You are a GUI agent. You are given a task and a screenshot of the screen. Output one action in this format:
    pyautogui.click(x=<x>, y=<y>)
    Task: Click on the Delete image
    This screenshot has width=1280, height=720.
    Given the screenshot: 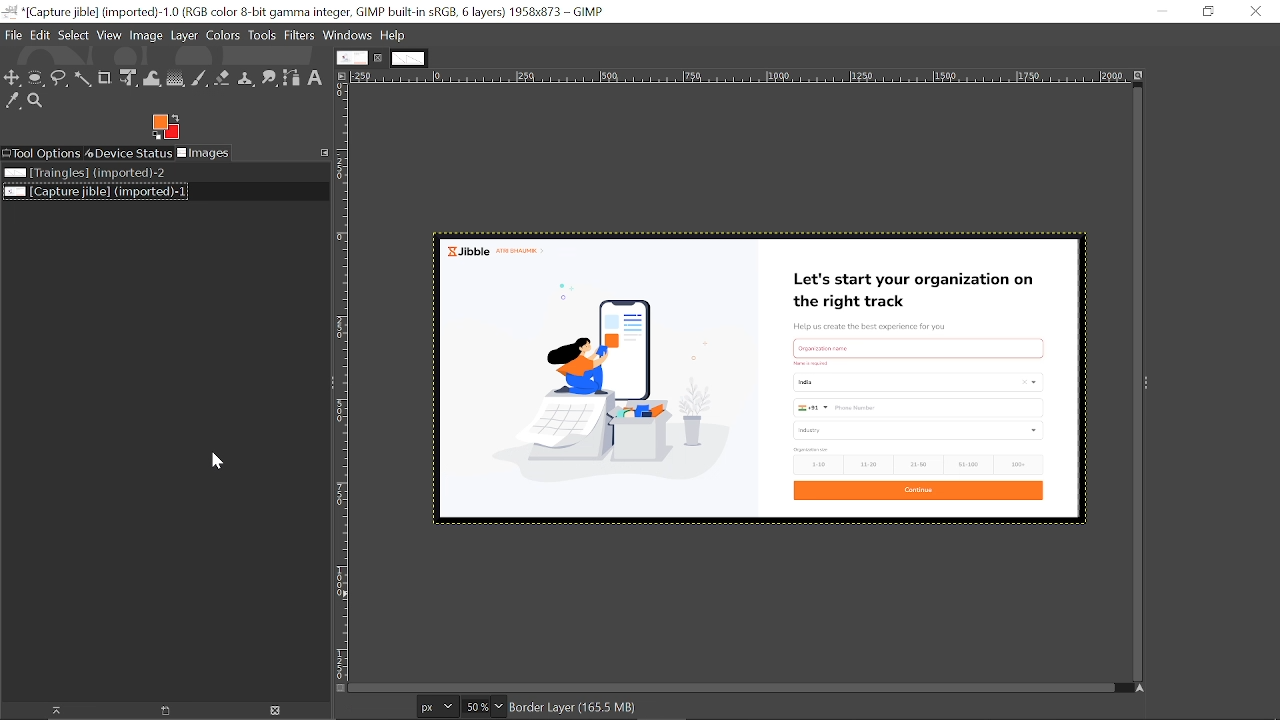 What is the action you would take?
    pyautogui.click(x=282, y=710)
    